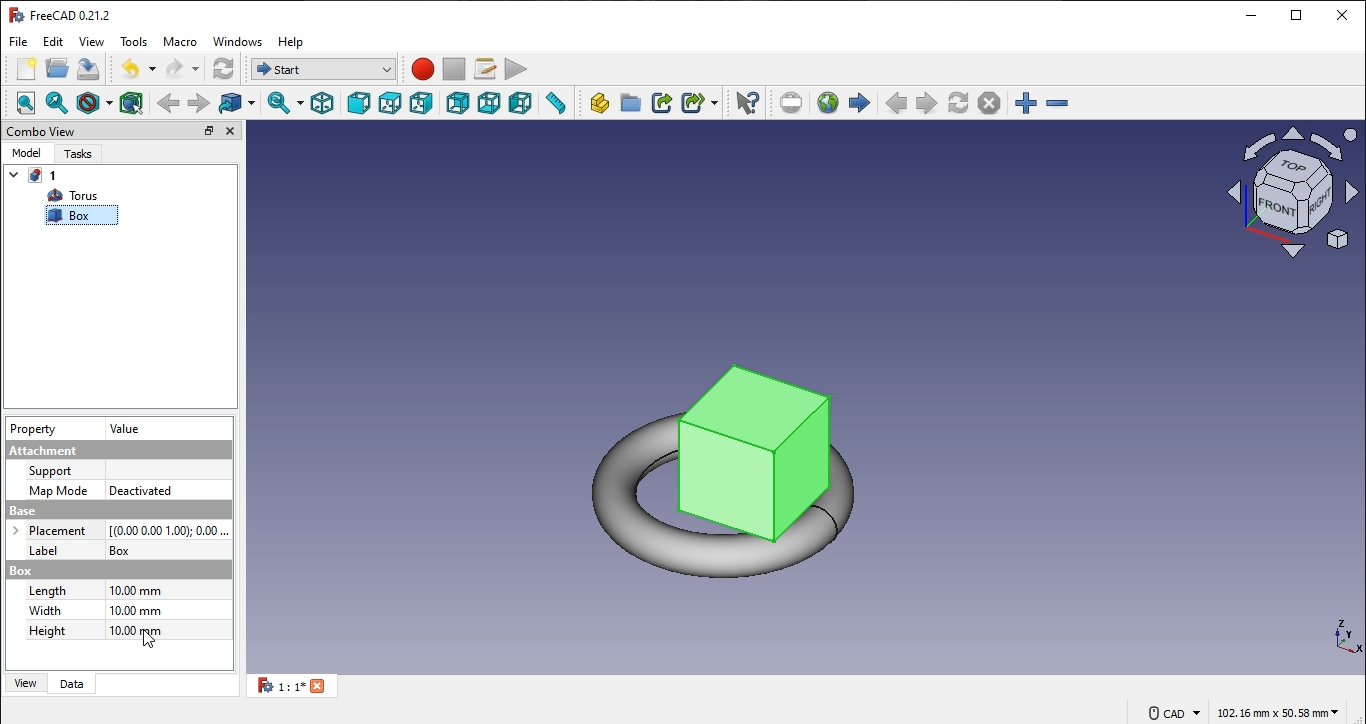  What do you see at coordinates (21, 41) in the screenshot?
I see `file` at bounding box center [21, 41].